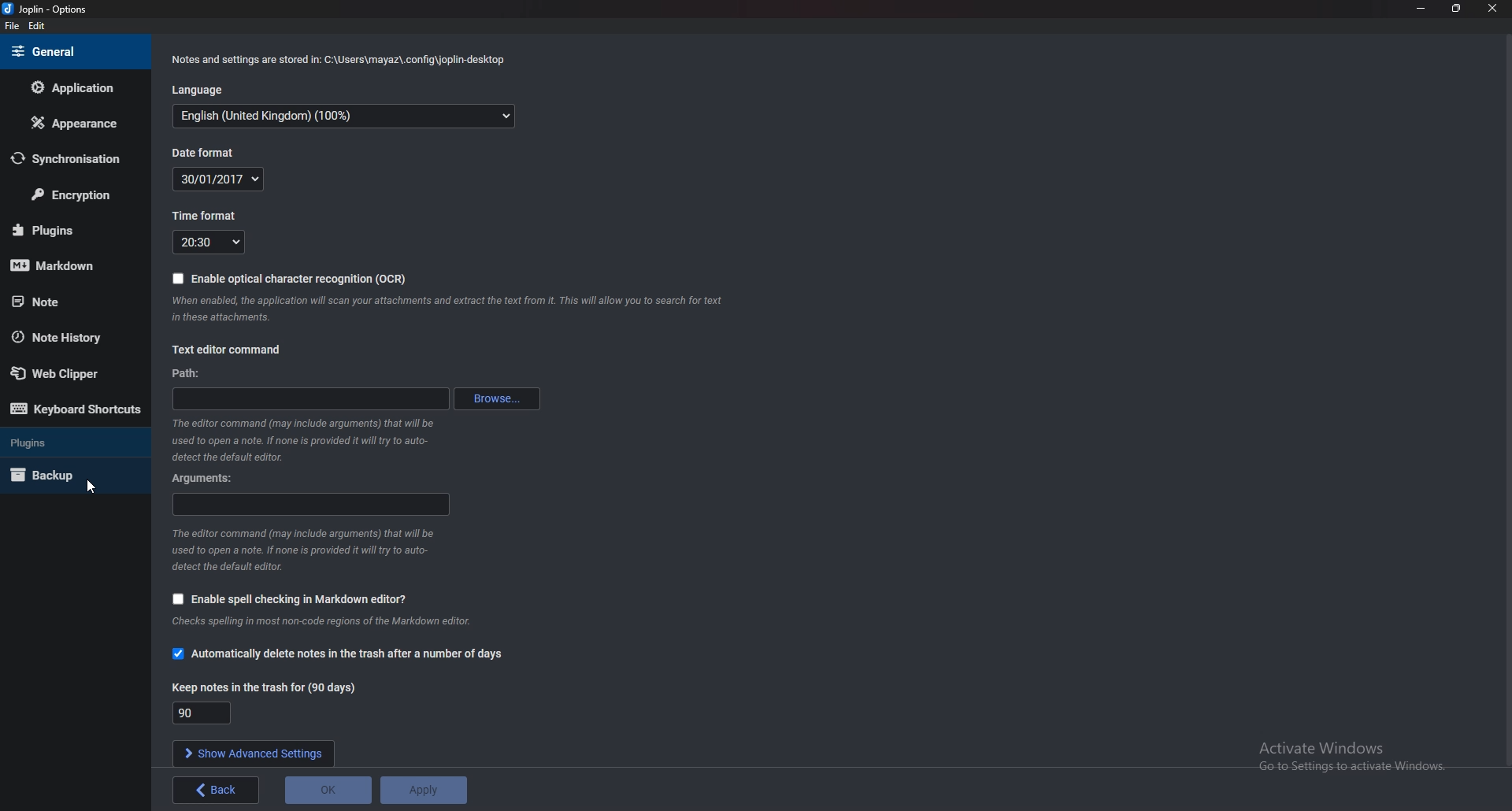 This screenshot has height=811, width=1512. What do you see at coordinates (69, 302) in the screenshot?
I see `note` at bounding box center [69, 302].